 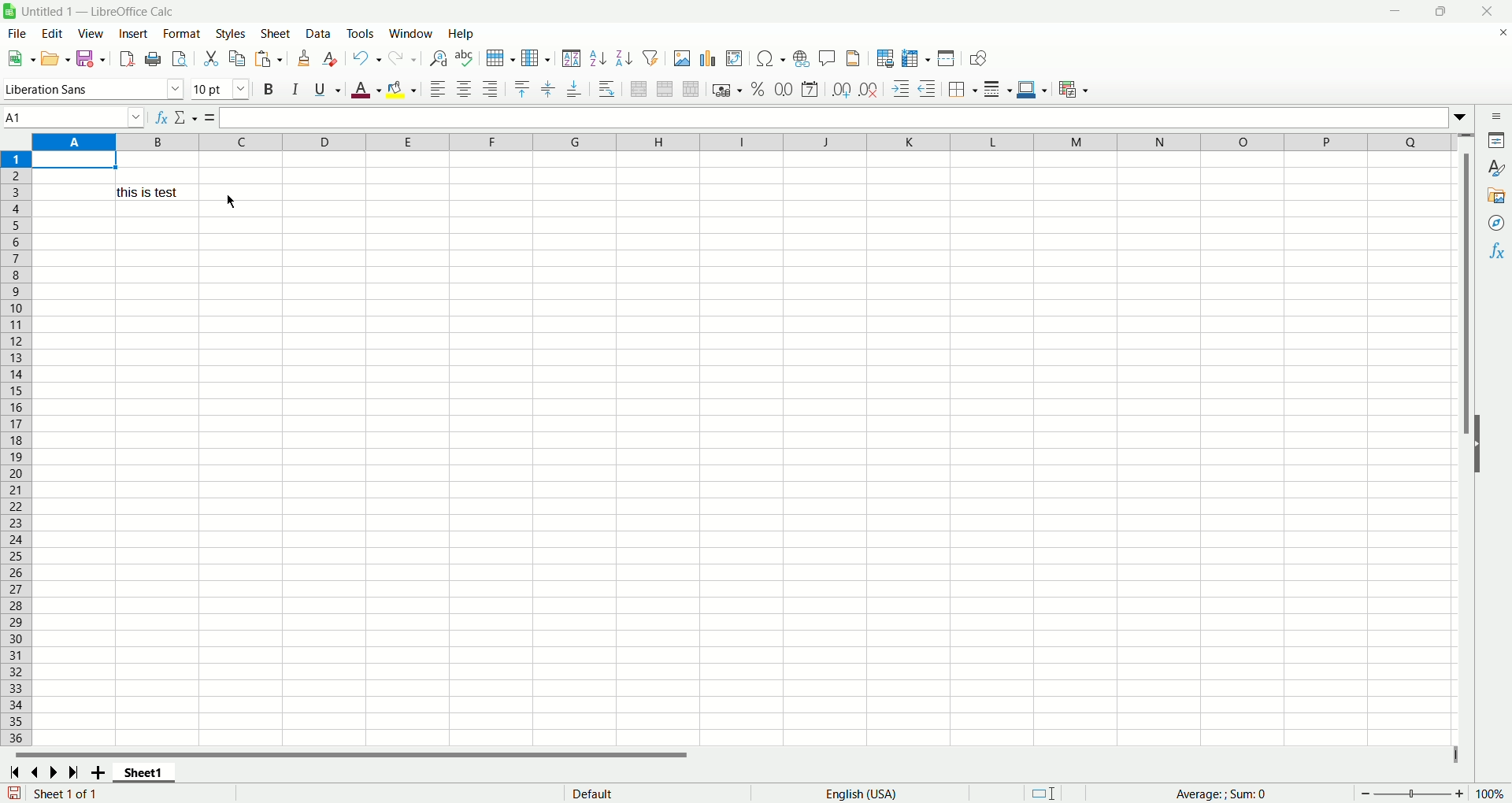 I want to click on clear formatting, so click(x=332, y=58).